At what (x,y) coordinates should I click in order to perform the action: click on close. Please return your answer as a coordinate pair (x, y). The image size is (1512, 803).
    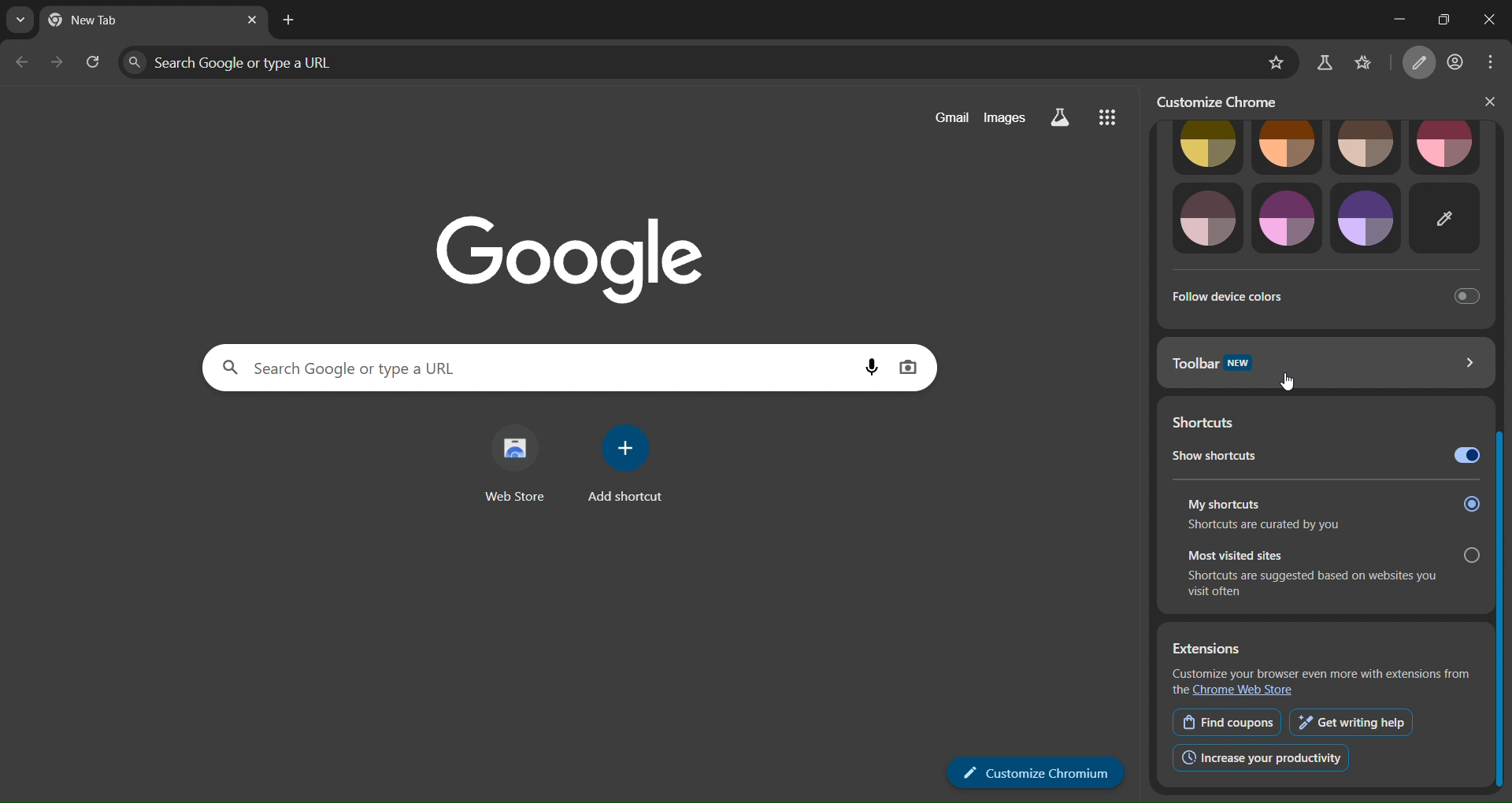
    Looking at the image, I should click on (1490, 20).